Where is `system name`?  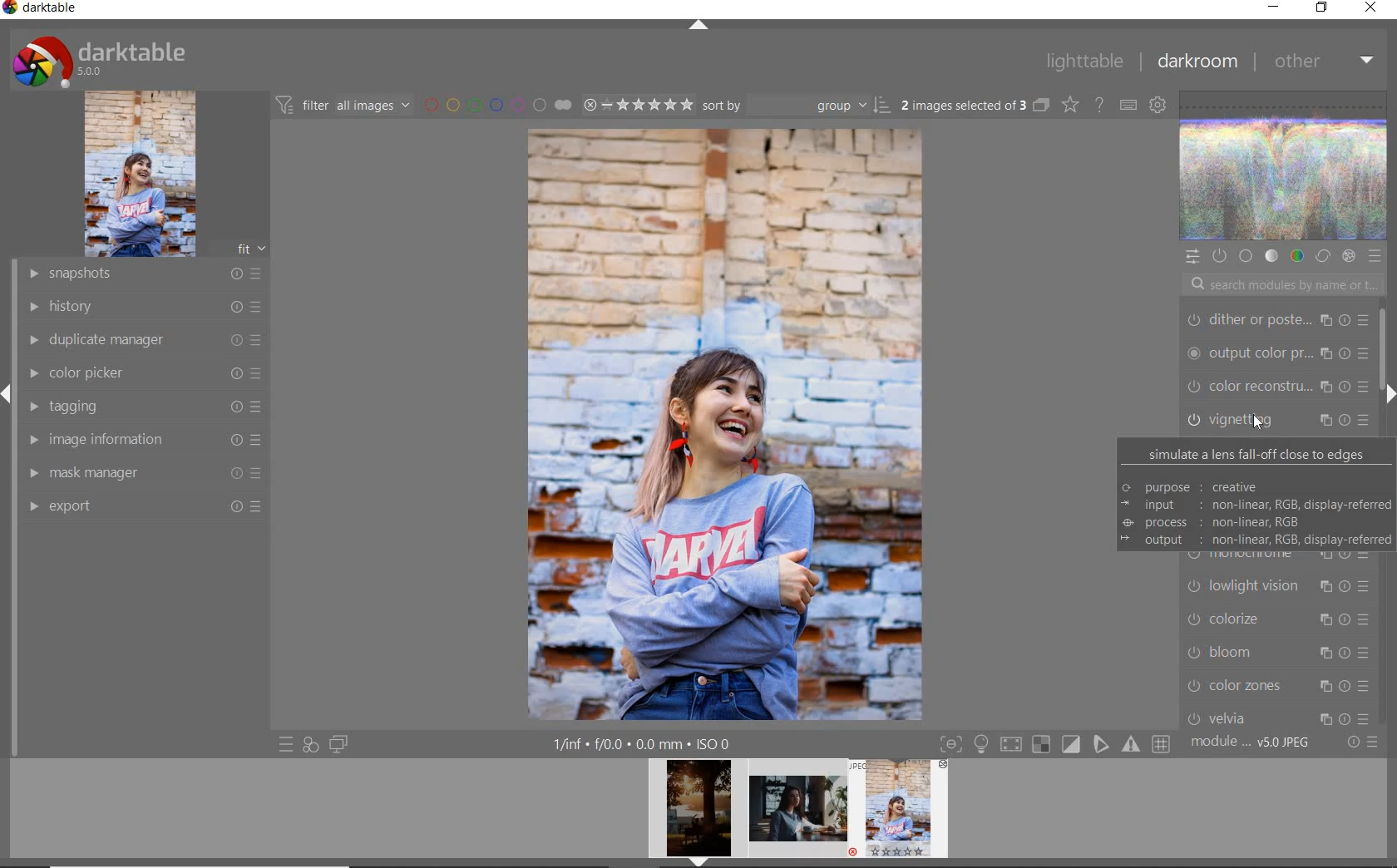 system name is located at coordinates (41, 10).